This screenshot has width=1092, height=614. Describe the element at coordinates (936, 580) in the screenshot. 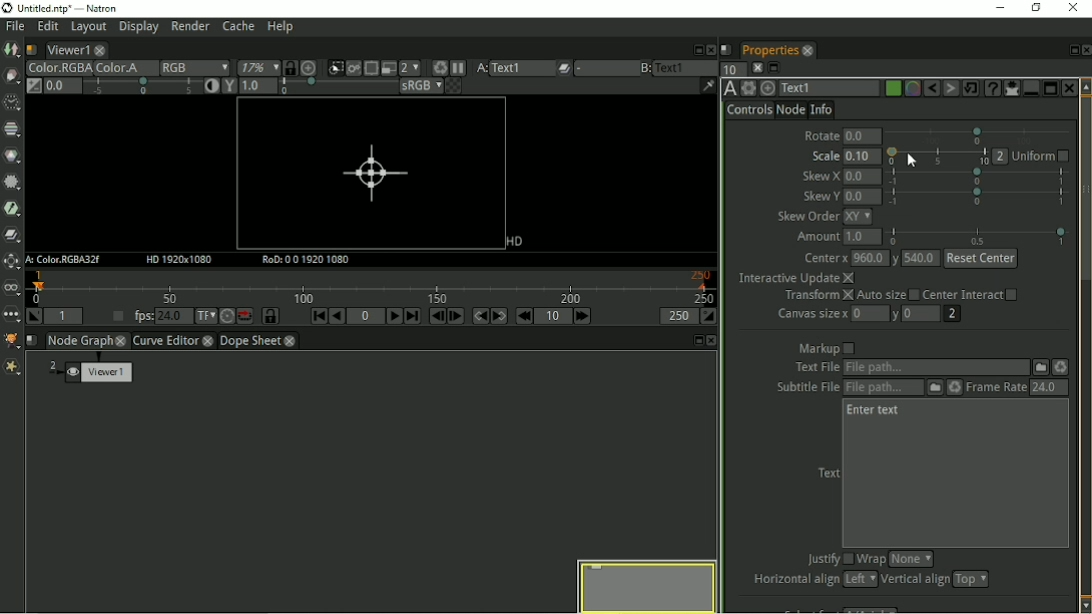

I see `Vertical align` at that location.